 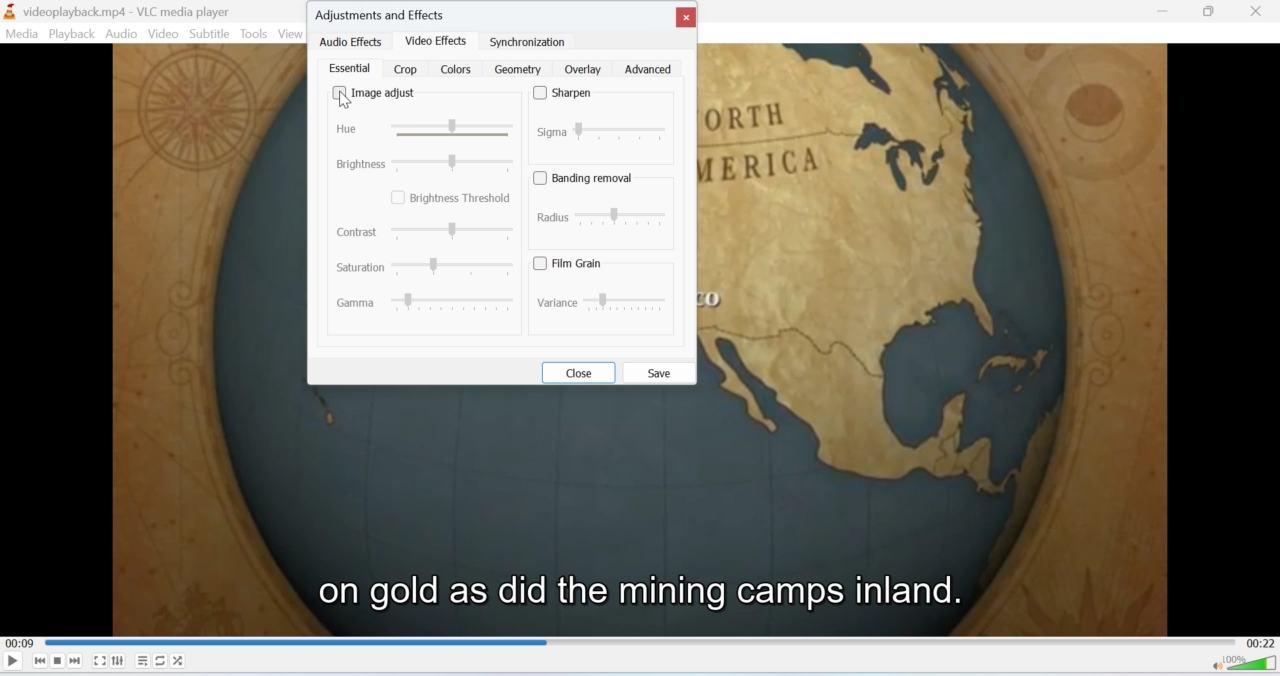 What do you see at coordinates (370, 92) in the screenshot?
I see `image adjust ` at bounding box center [370, 92].